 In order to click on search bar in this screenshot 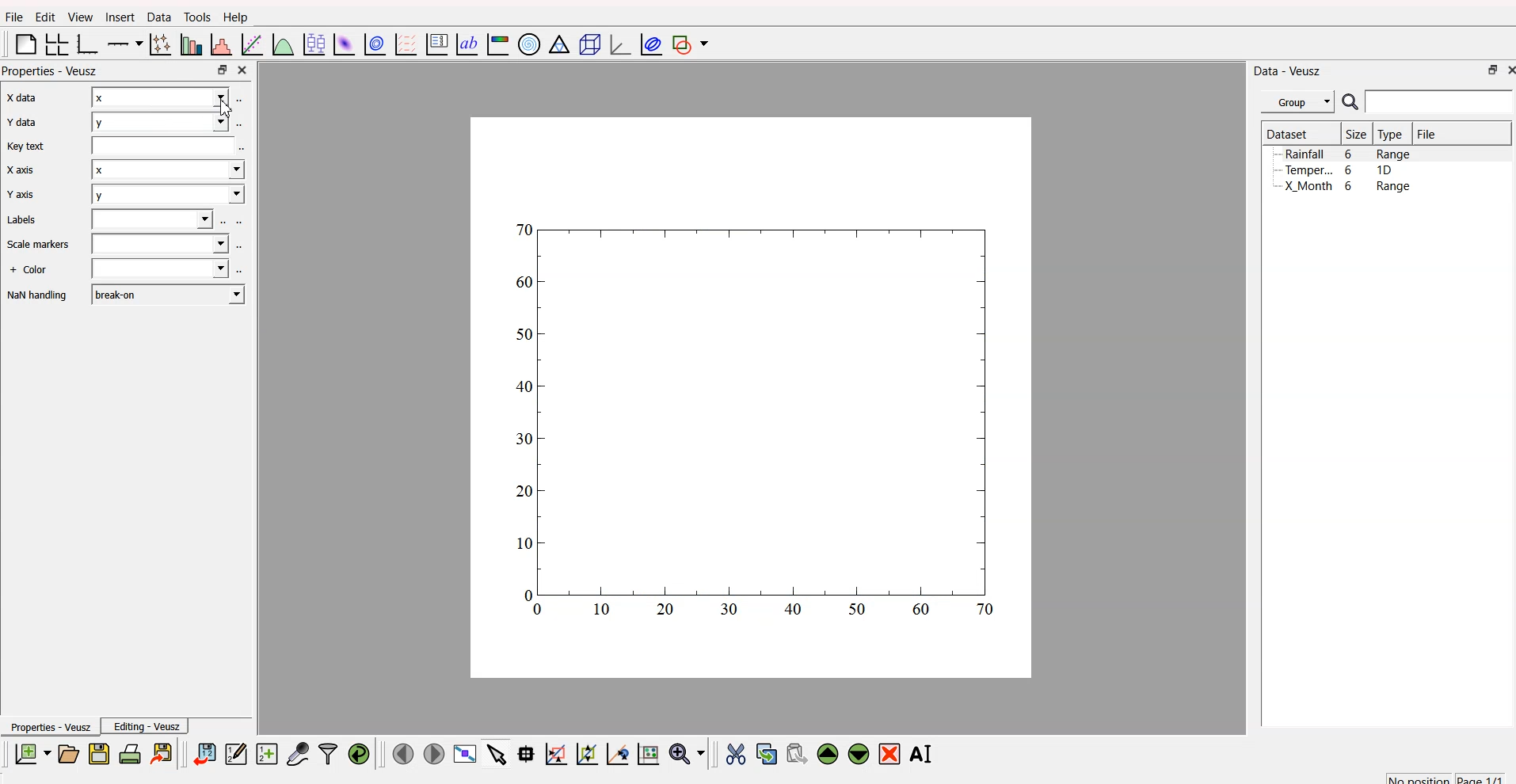, I will do `click(1442, 104)`.